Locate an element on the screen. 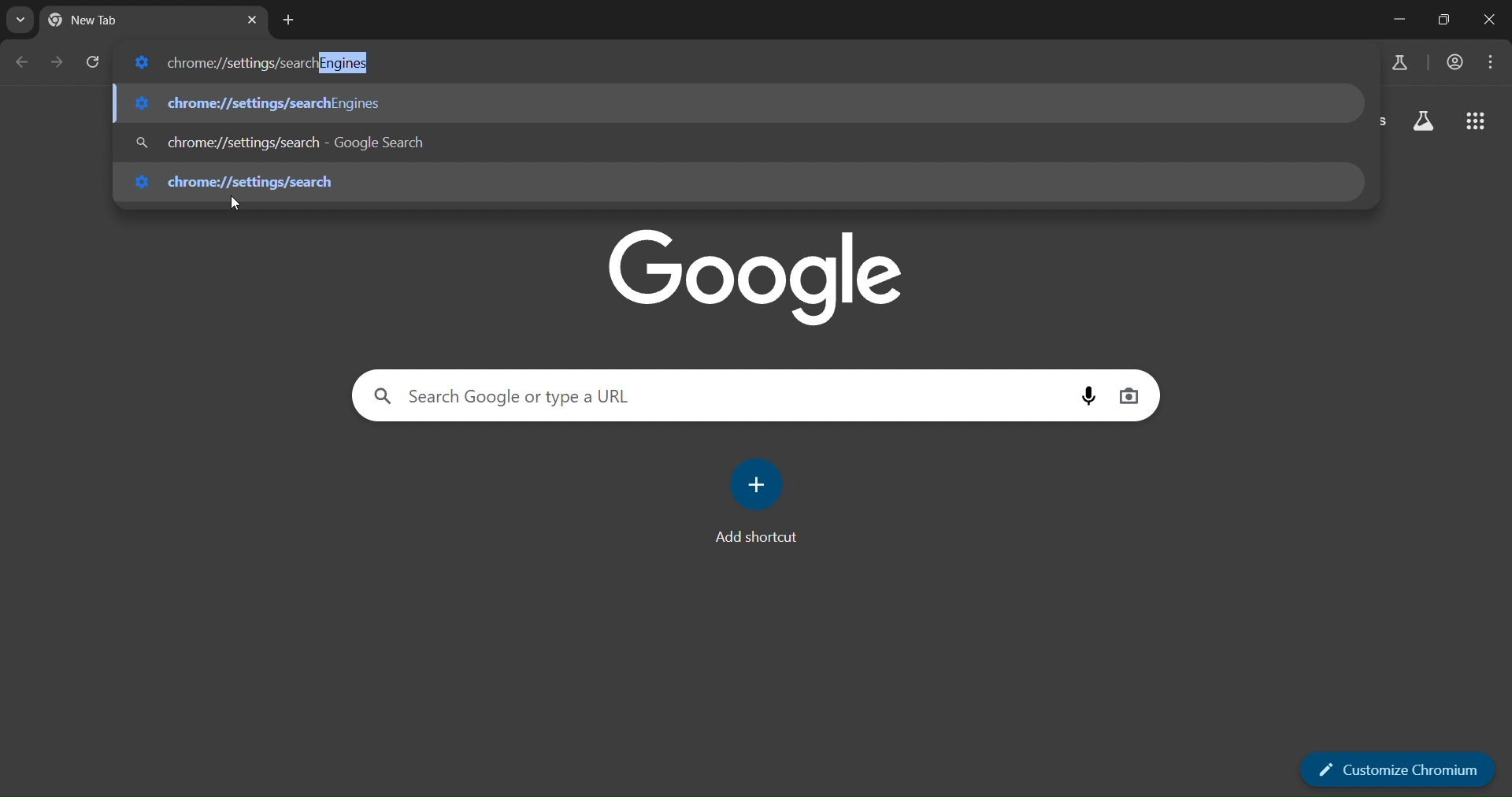 This screenshot has width=1512, height=797. search Google or type a URL is located at coordinates (539, 396).